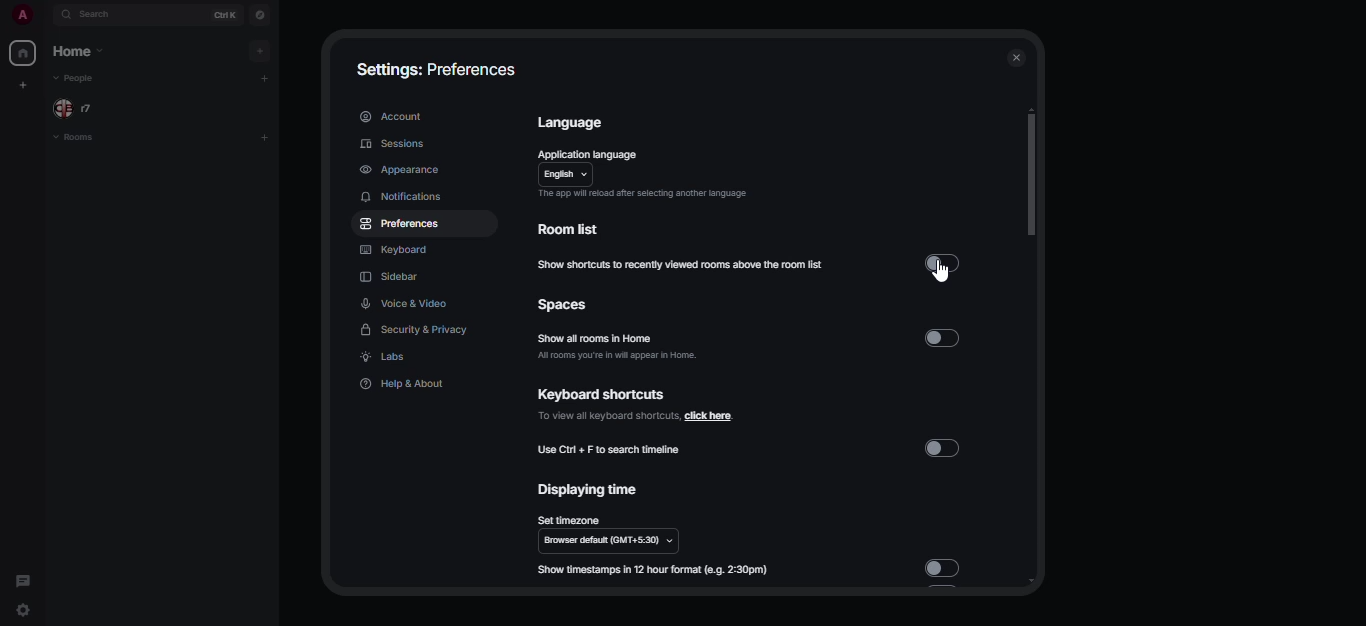  Describe the element at coordinates (945, 272) in the screenshot. I see `cursor` at that location.